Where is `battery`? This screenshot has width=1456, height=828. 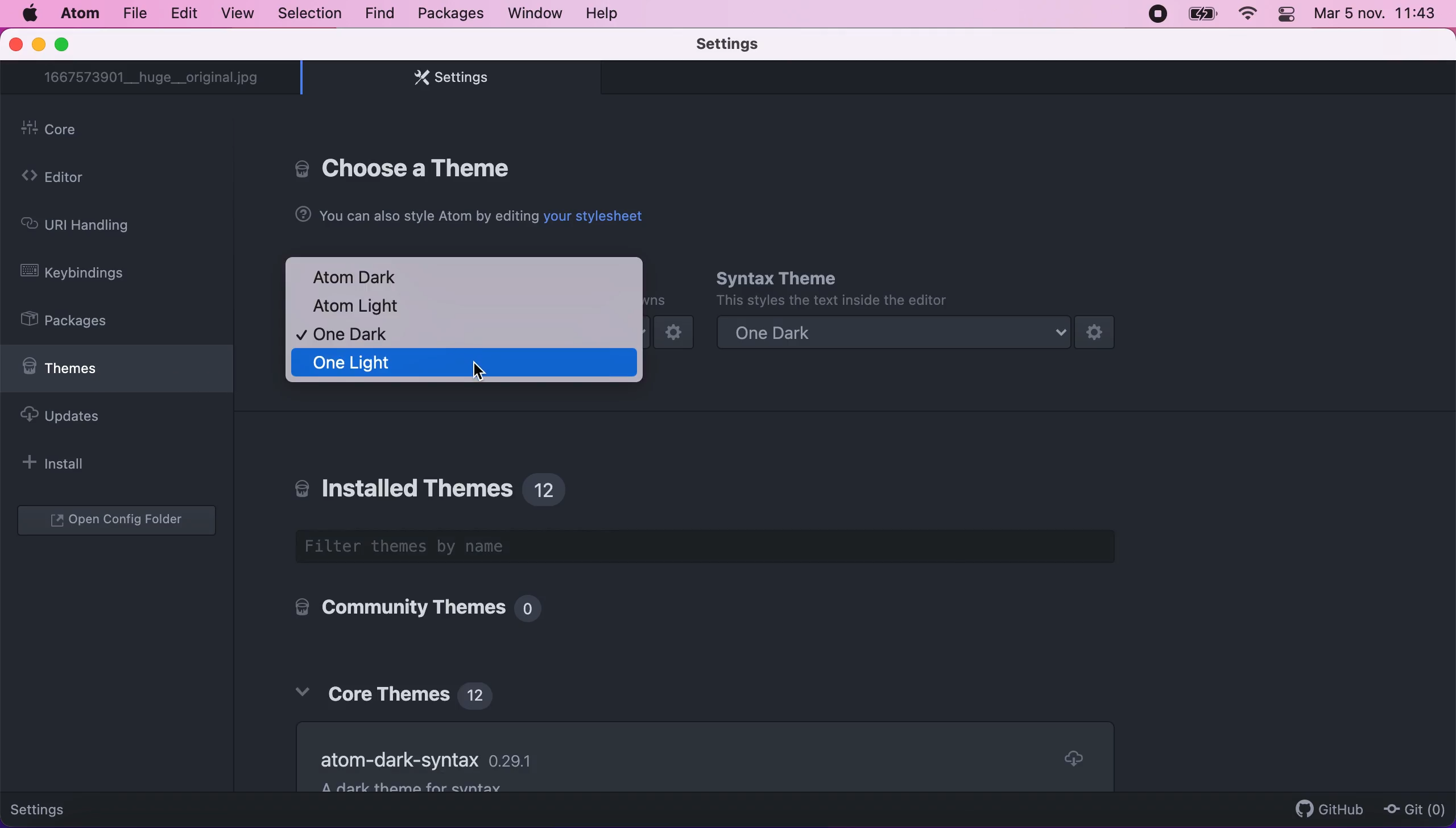
battery is located at coordinates (1201, 16).